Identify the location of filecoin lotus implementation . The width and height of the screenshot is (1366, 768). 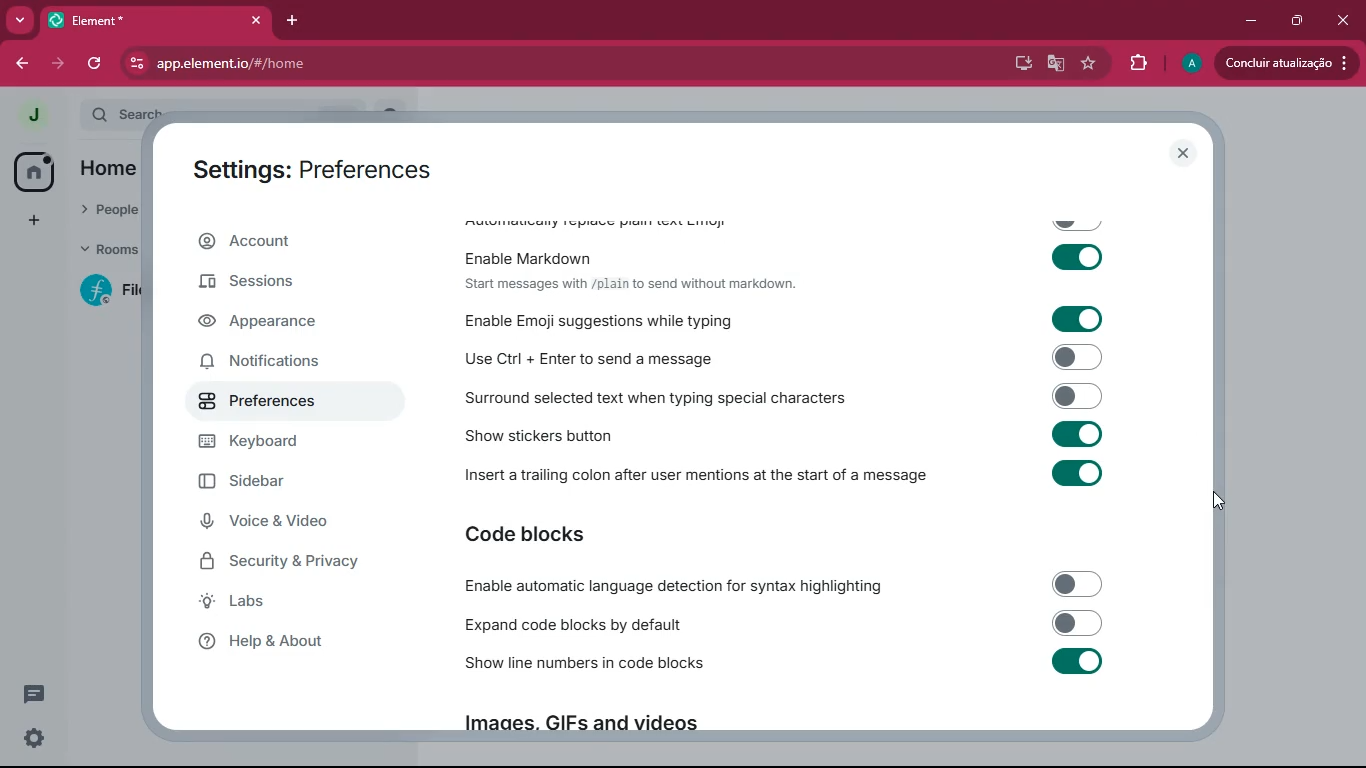
(114, 293).